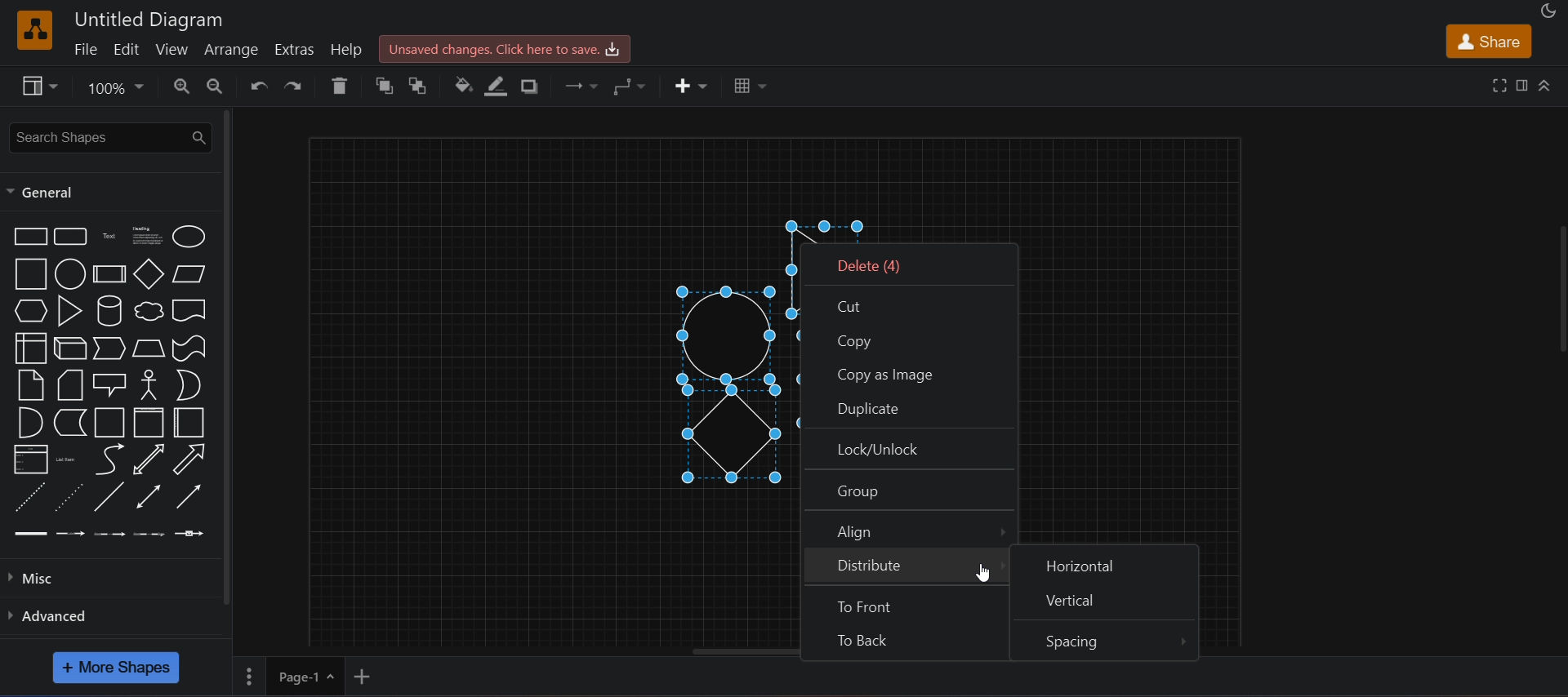 Image resolution: width=1568 pixels, height=697 pixels. Describe the element at coordinates (118, 90) in the screenshot. I see `zoom` at that location.